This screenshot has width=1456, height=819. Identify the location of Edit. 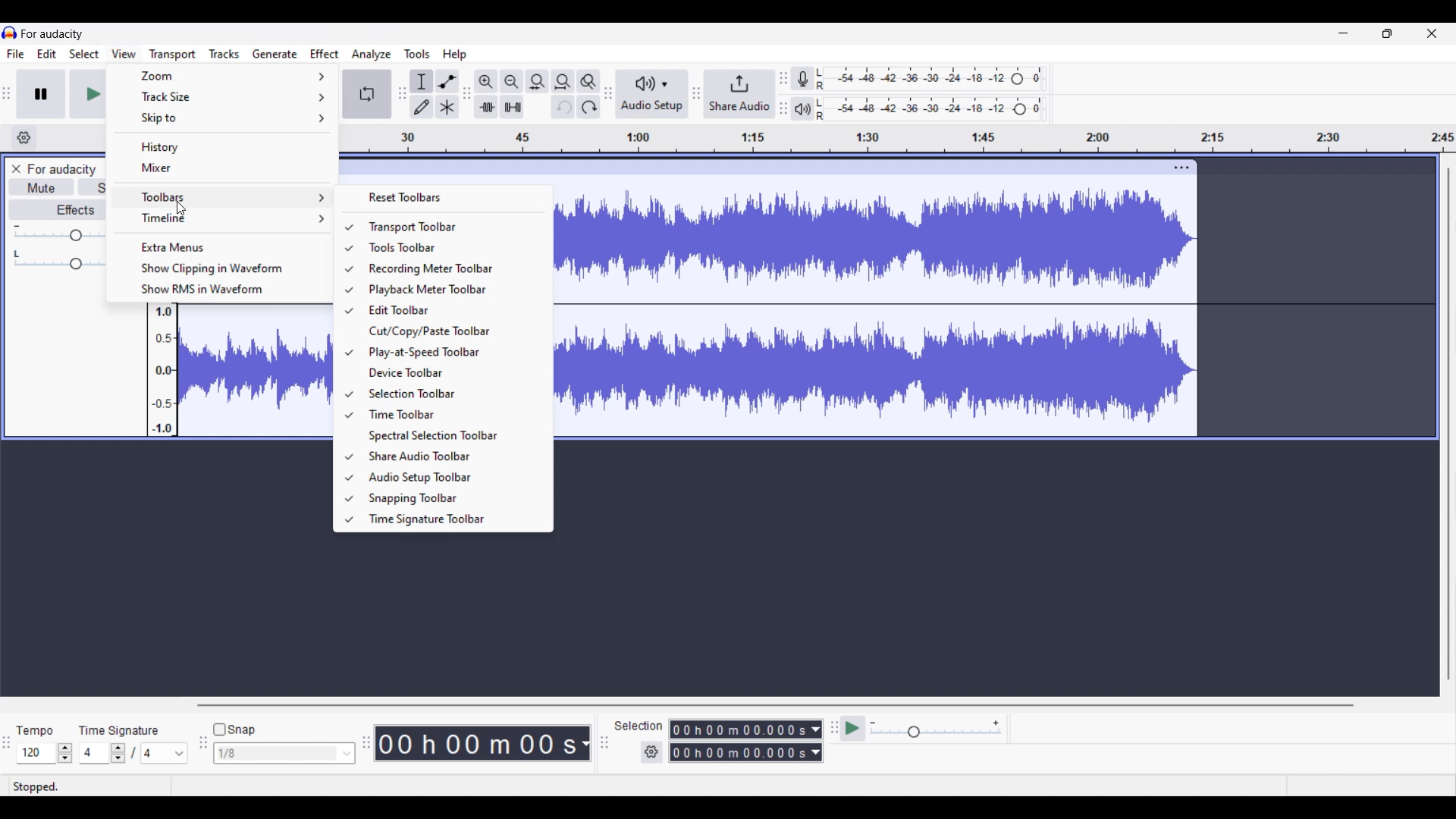
(47, 53).